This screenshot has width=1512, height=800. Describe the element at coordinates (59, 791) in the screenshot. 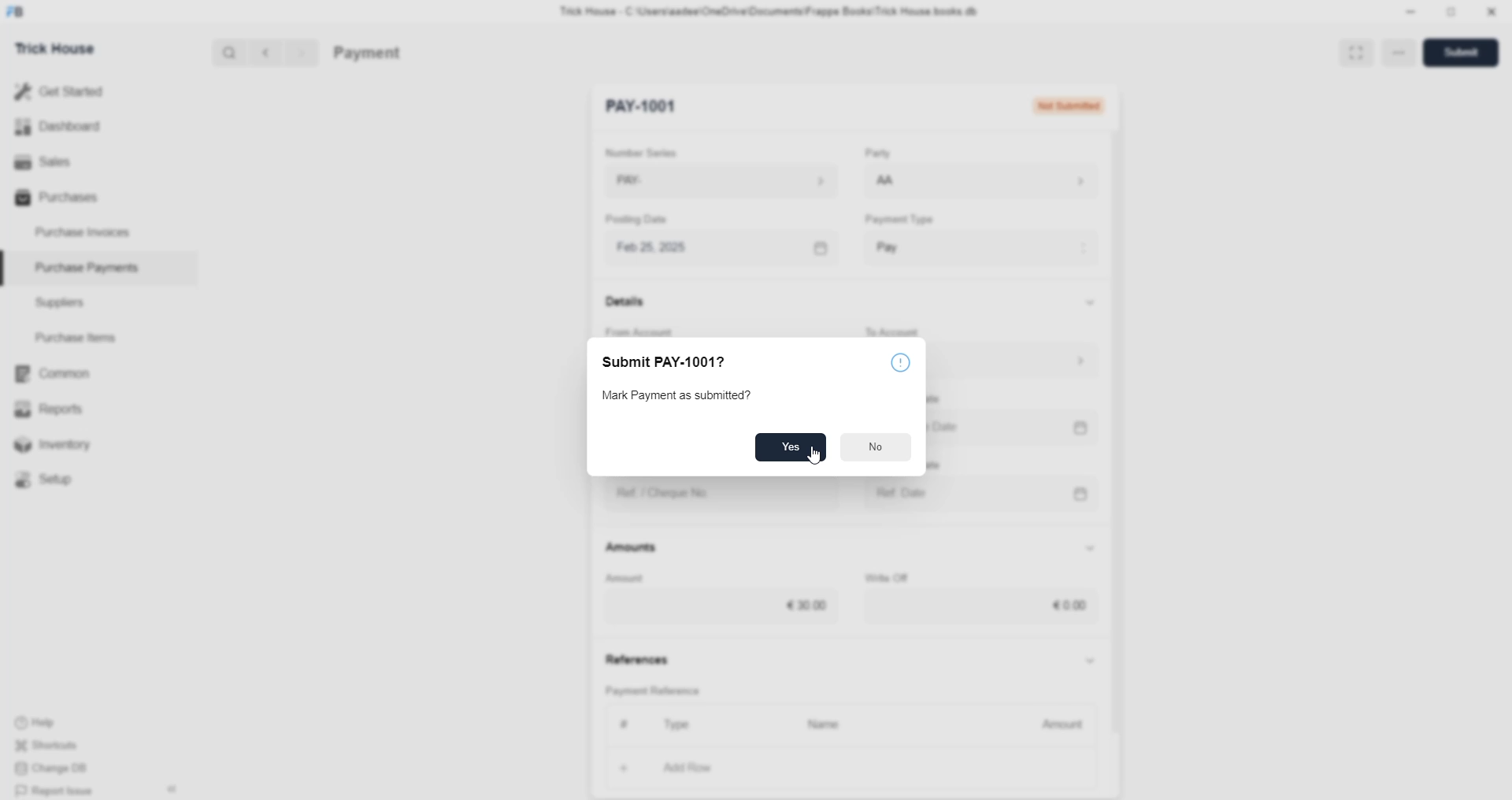

I see `Report Issue` at that location.